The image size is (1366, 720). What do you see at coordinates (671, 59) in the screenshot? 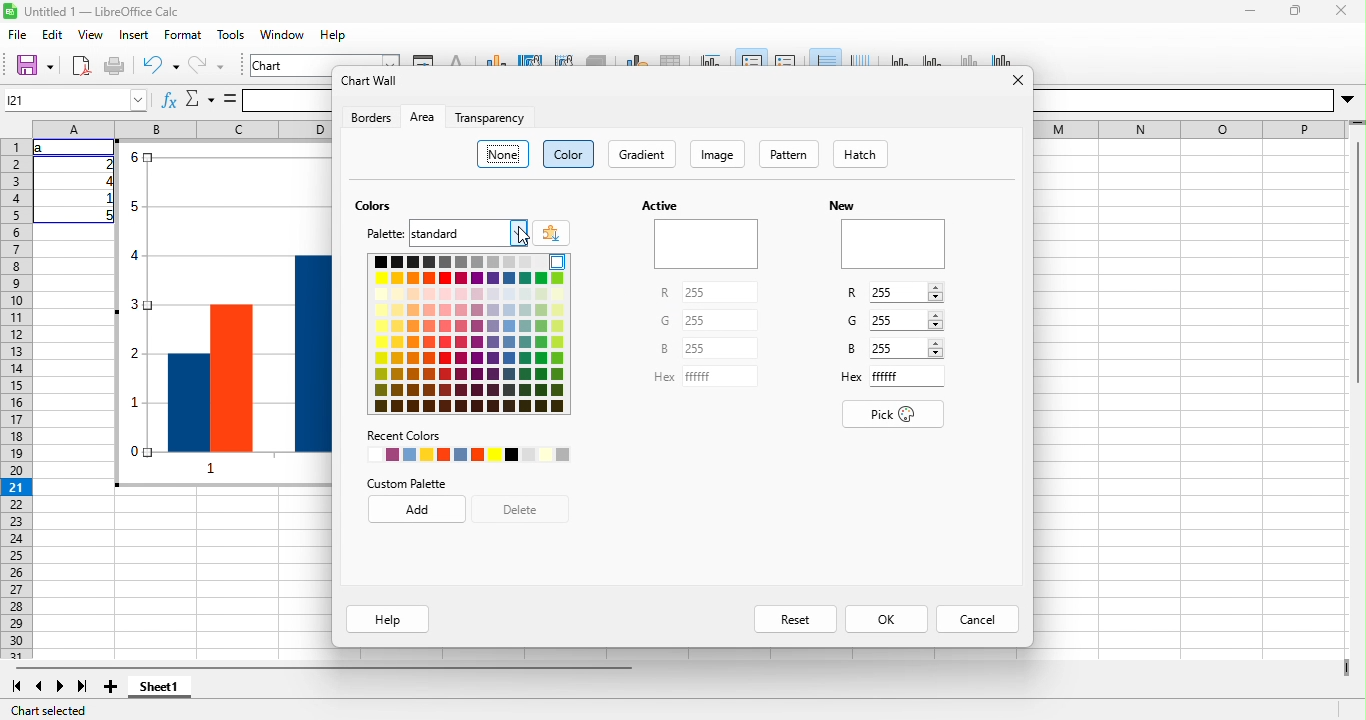
I see `data table` at bounding box center [671, 59].